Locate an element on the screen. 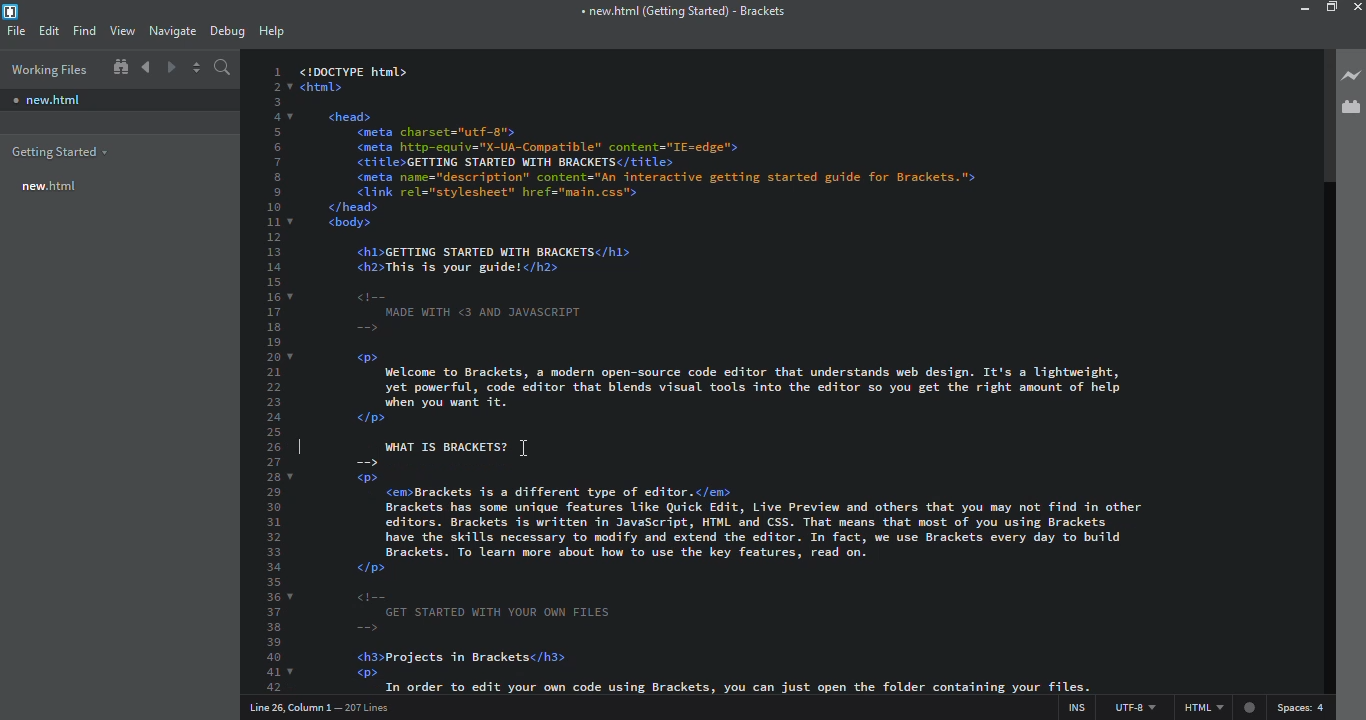 The height and width of the screenshot is (720, 1366). getting started is located at coordinates (58, 153).